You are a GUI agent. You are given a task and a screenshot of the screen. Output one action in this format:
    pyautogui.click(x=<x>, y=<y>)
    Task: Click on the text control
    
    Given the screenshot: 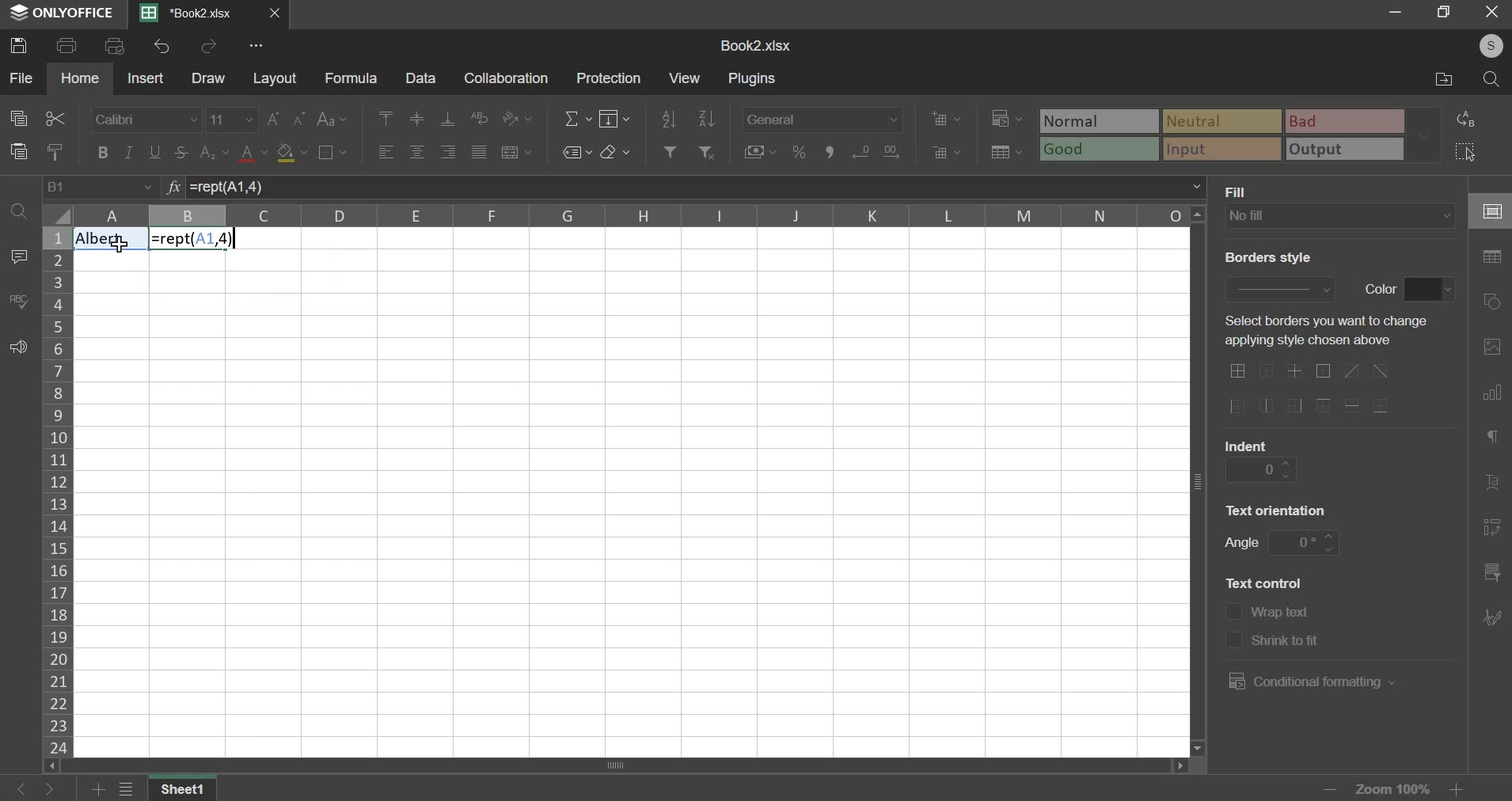 What is the action you would take?
    pyautogui.click(x=1235, y=624)
    